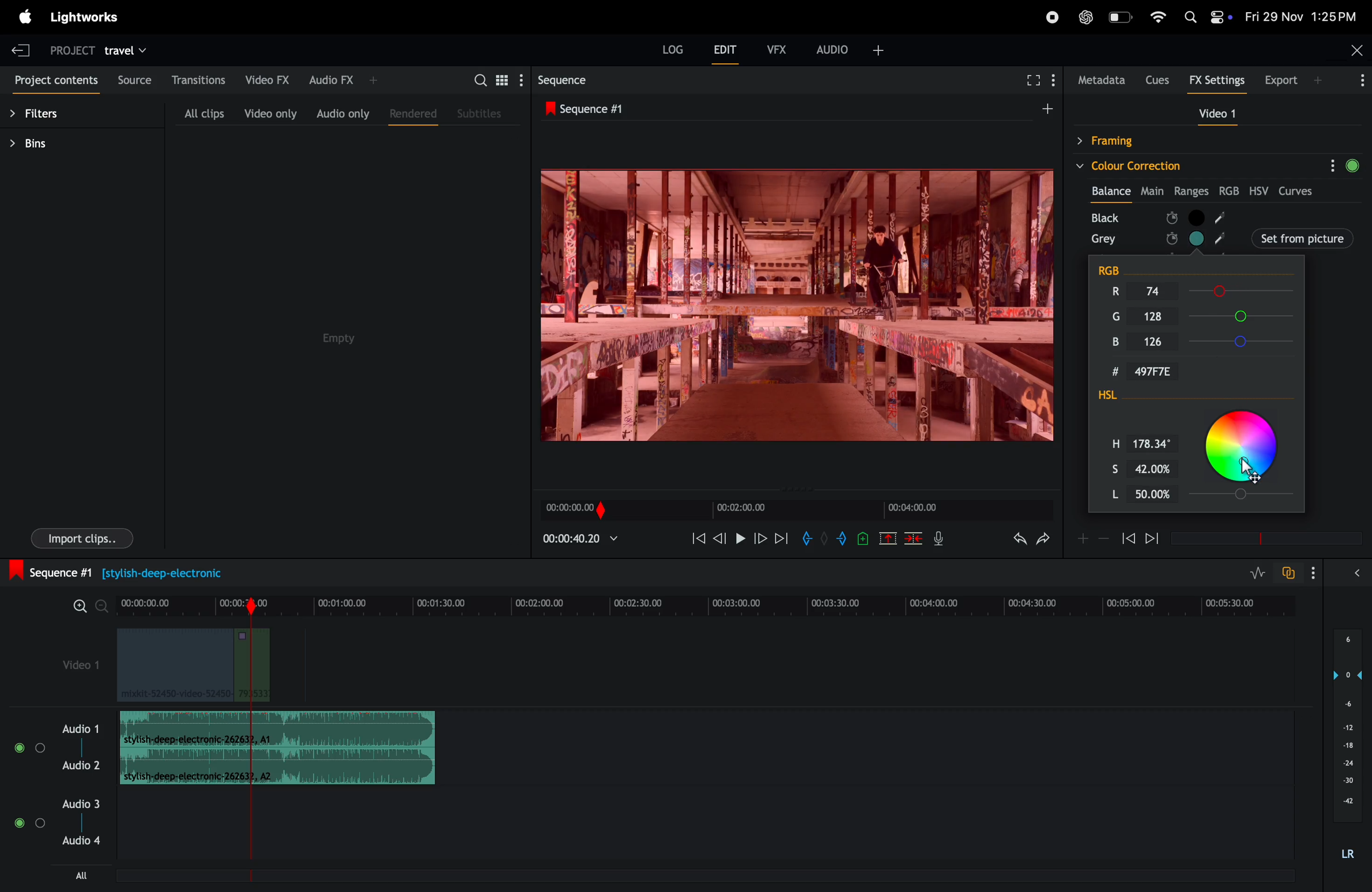 The width and height of the screenshot is (1372, 892). I want to click on source, so click(135, 80).